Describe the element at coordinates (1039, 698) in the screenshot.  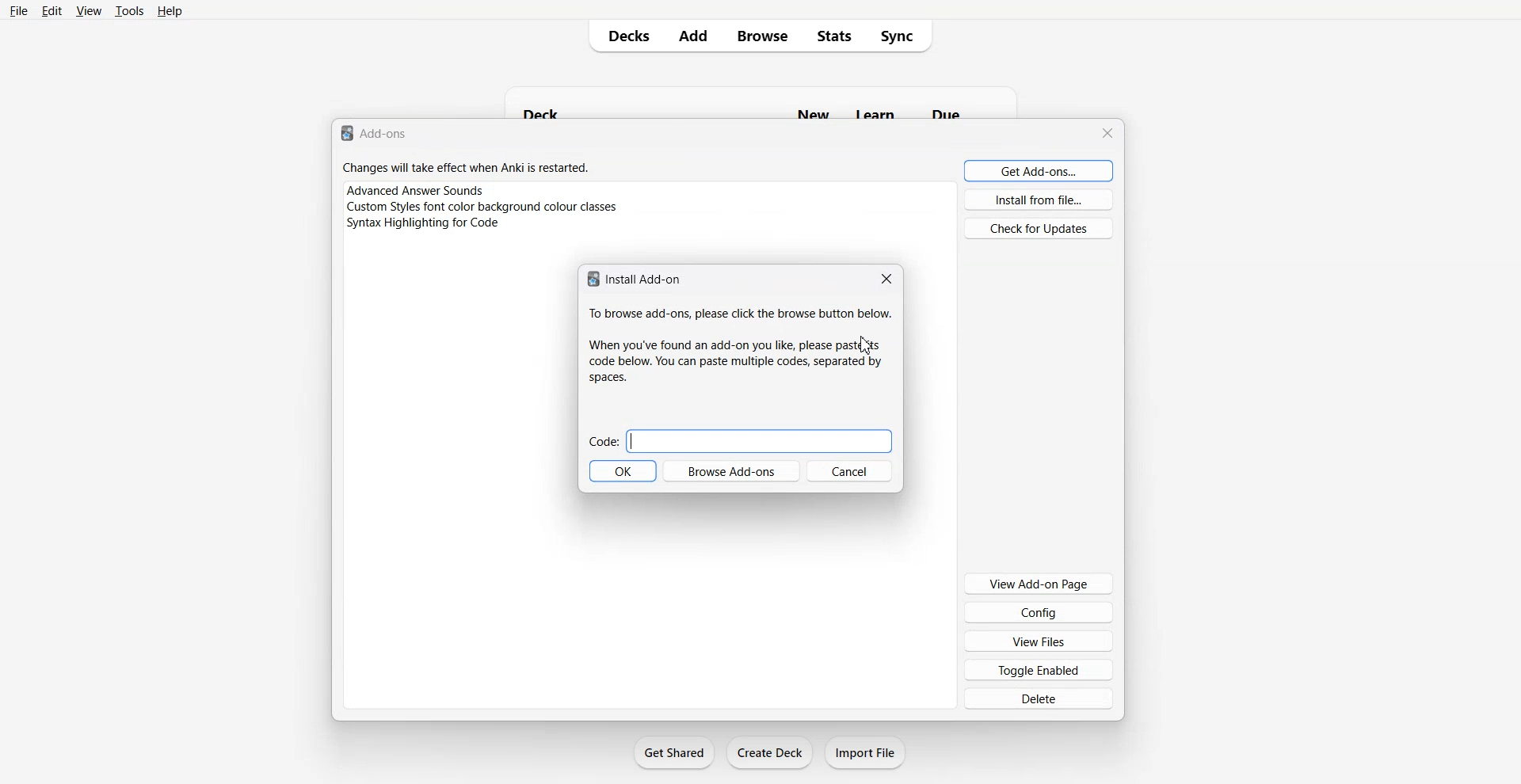
I see `Delete` at that location.